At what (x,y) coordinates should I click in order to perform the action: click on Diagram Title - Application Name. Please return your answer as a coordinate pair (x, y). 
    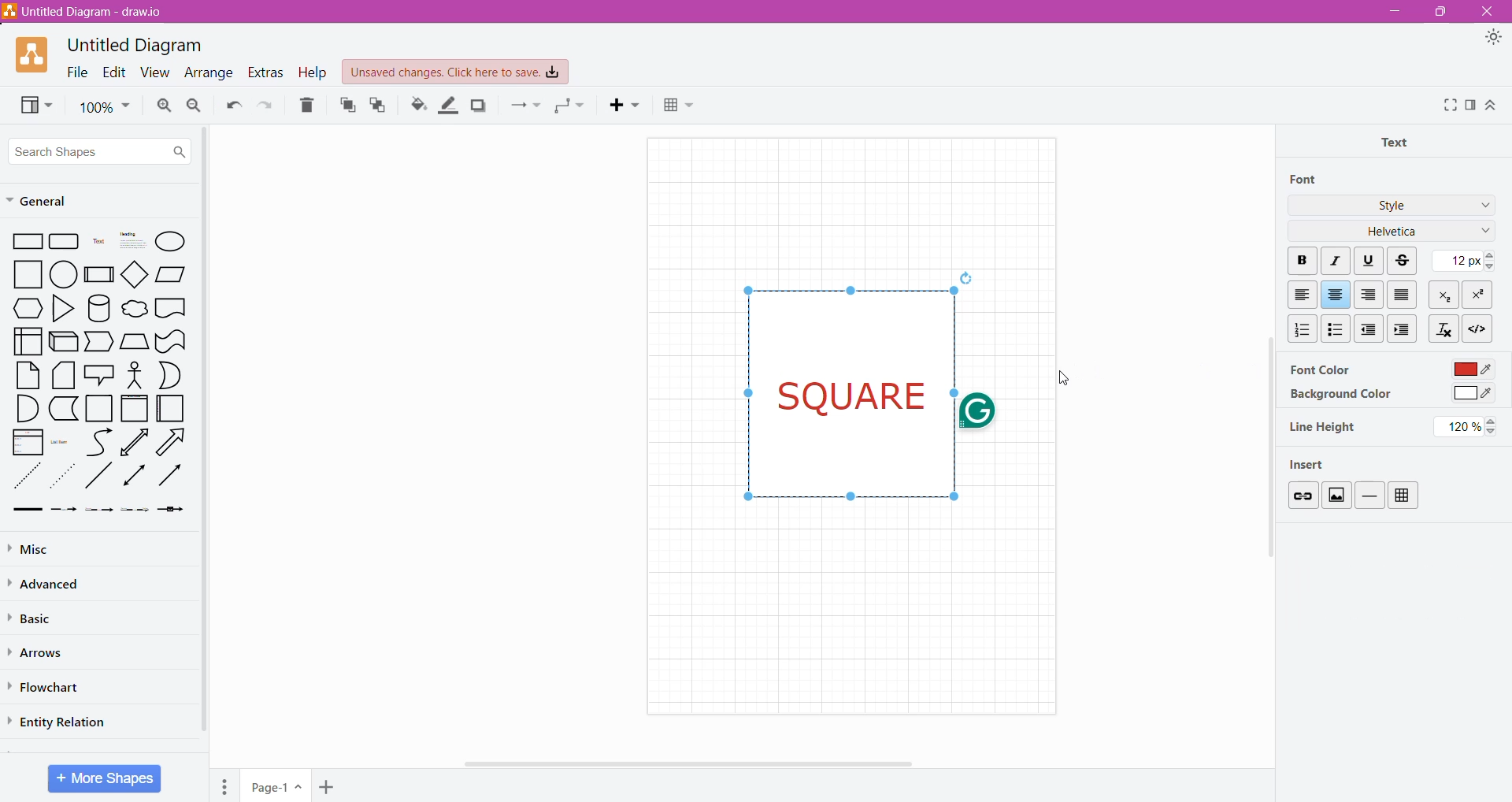
    Looking at the image, I should click on (91, 12).